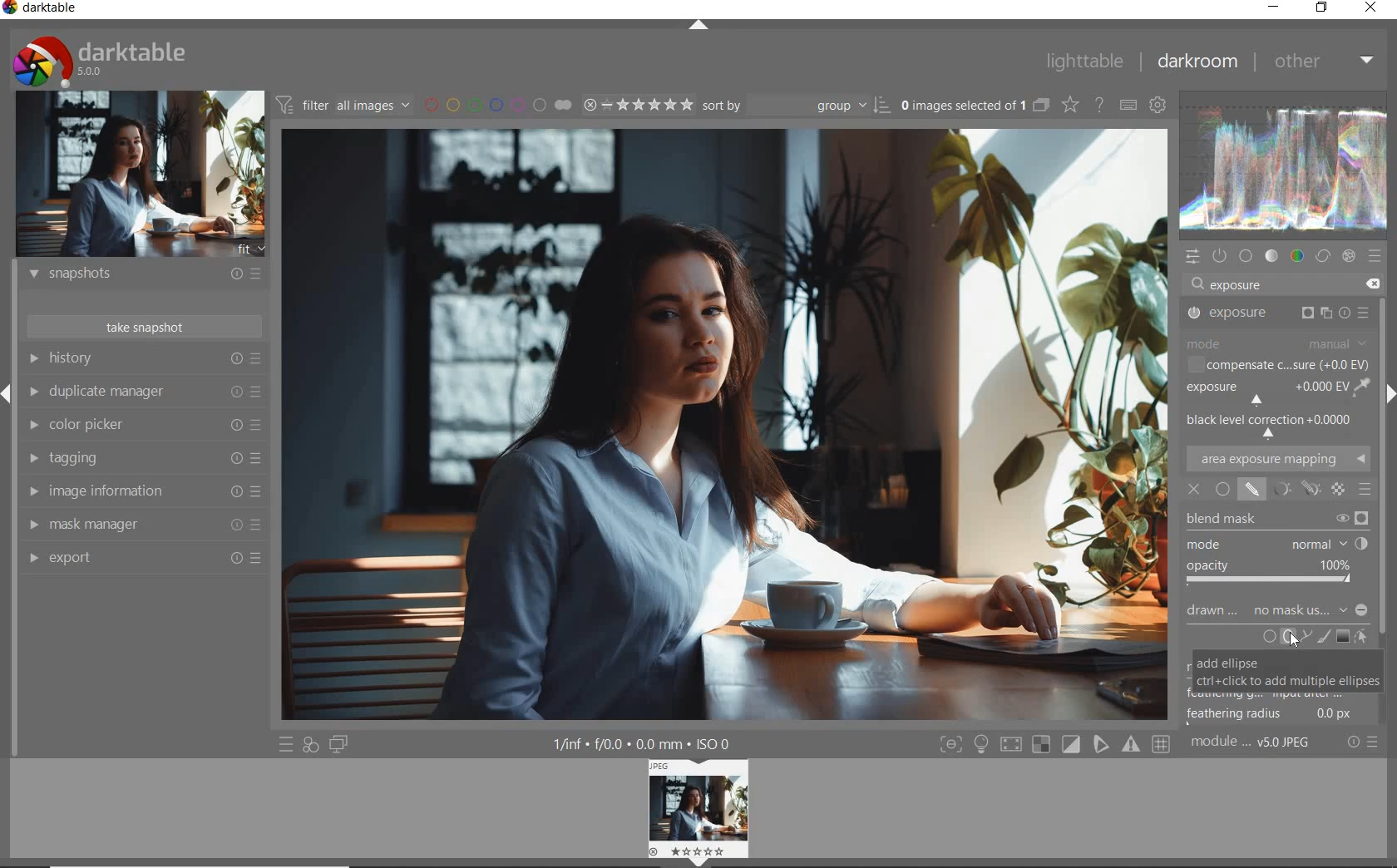 This screenshot has width=1397, height=868. Describe the element at coordinates (142, 358) in the screenshot. I see `history` at that location.